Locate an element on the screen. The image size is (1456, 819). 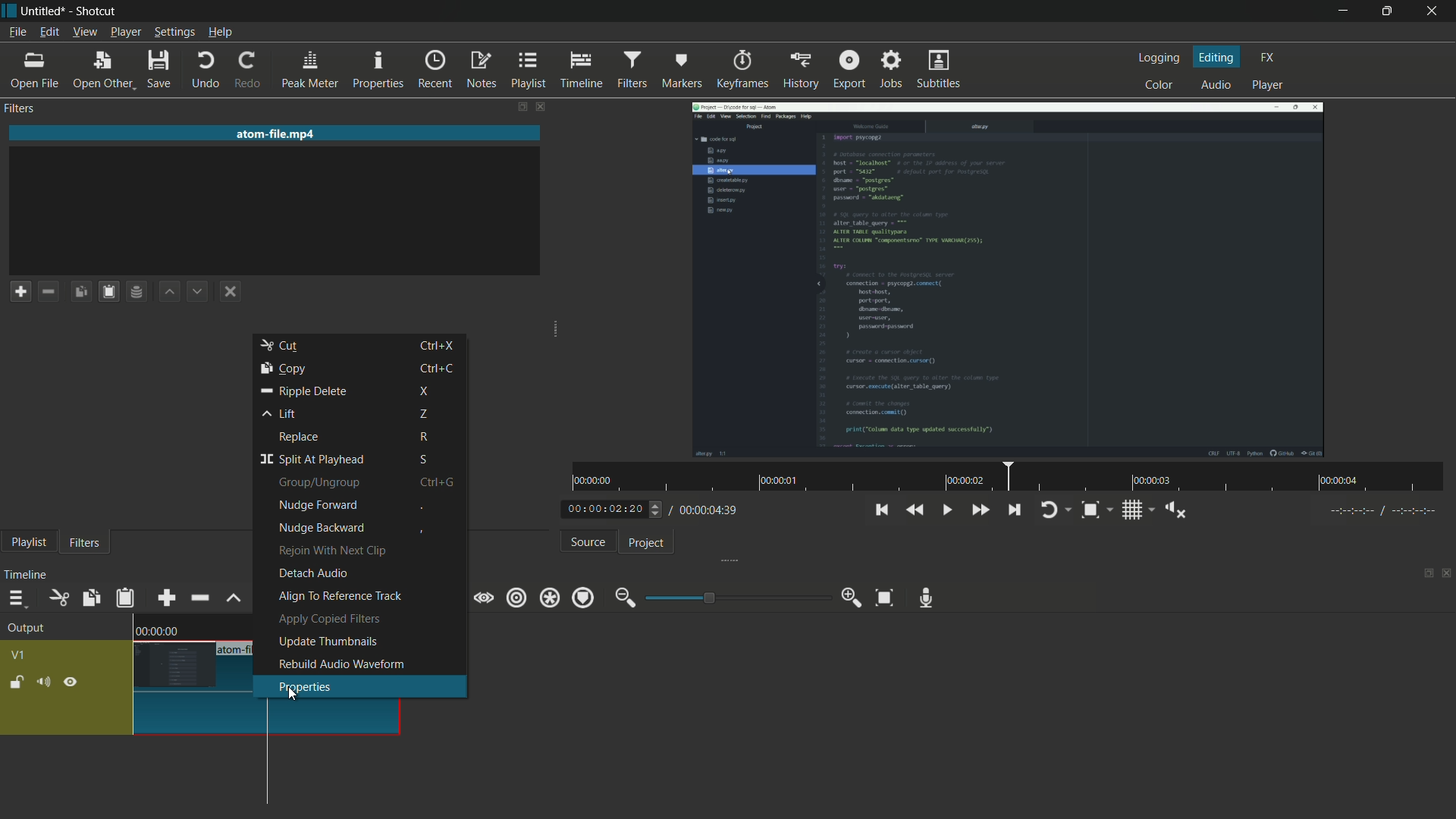
logging is located at coordinates (1159, 58).